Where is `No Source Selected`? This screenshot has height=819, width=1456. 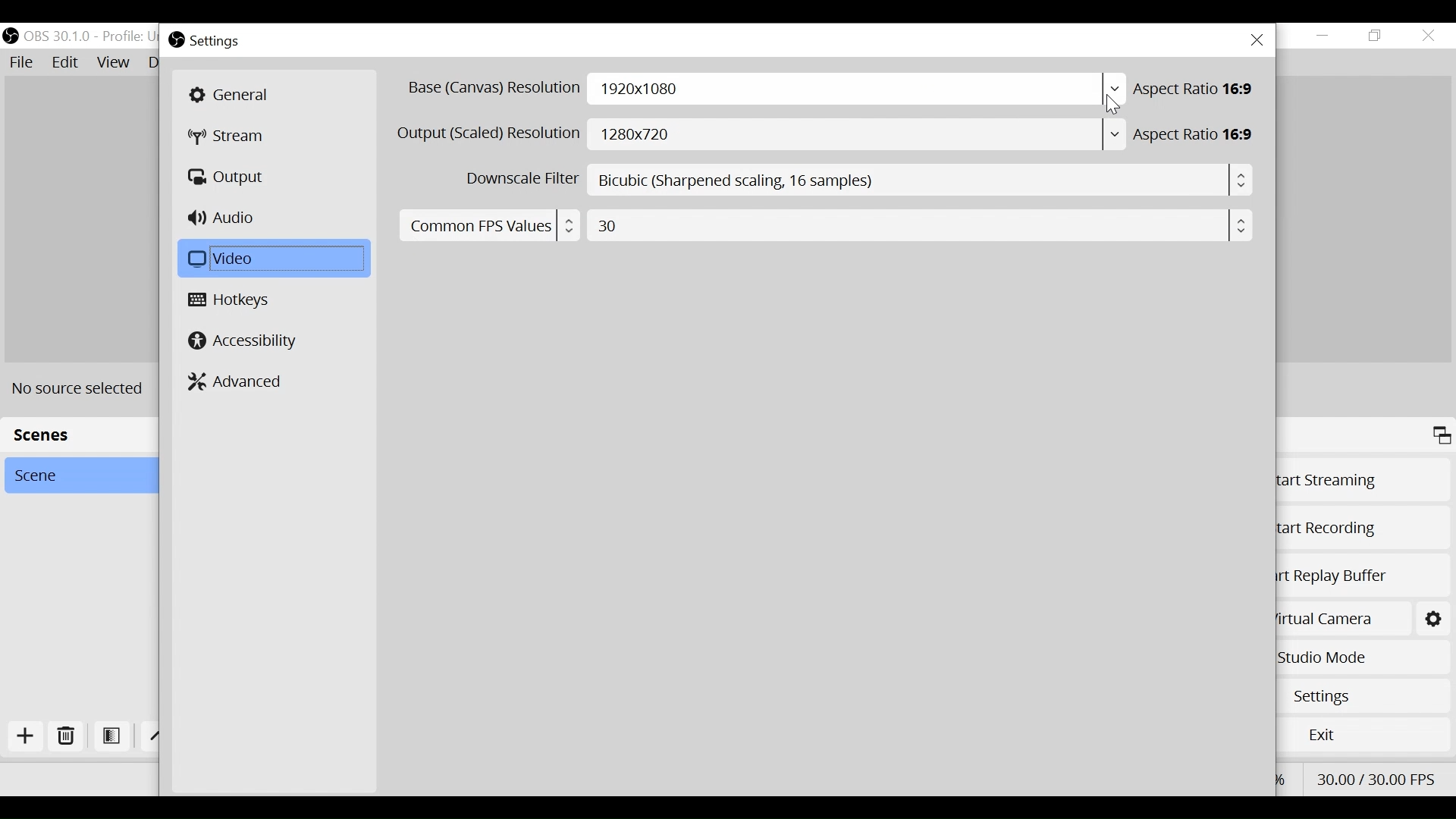 No Source Selected is located at coordinates (83, 388).